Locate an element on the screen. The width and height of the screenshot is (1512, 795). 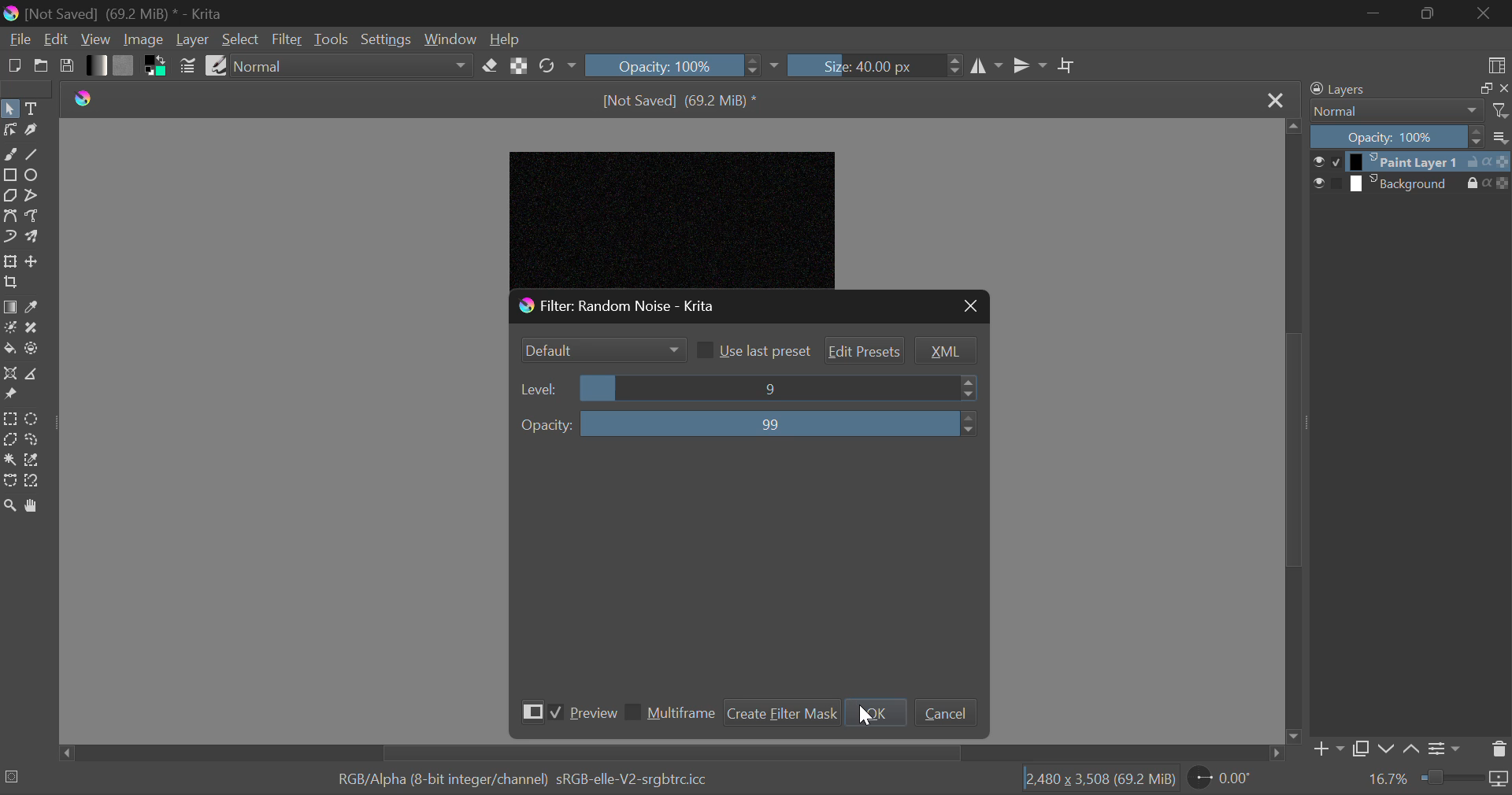
Eraser is located at coordinates (490, 67).